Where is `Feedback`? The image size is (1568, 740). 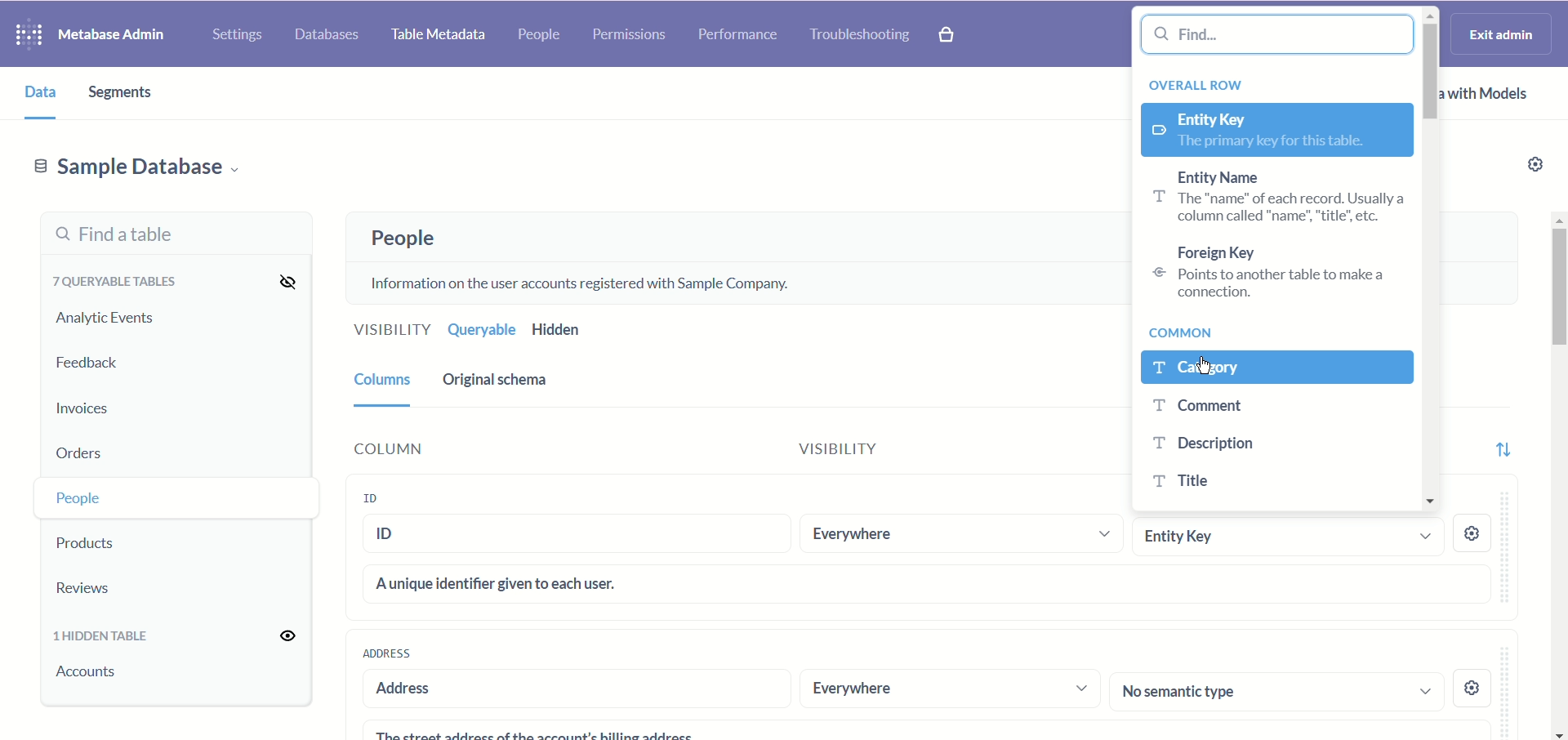 Feedback is located at coordinates (90, 363).